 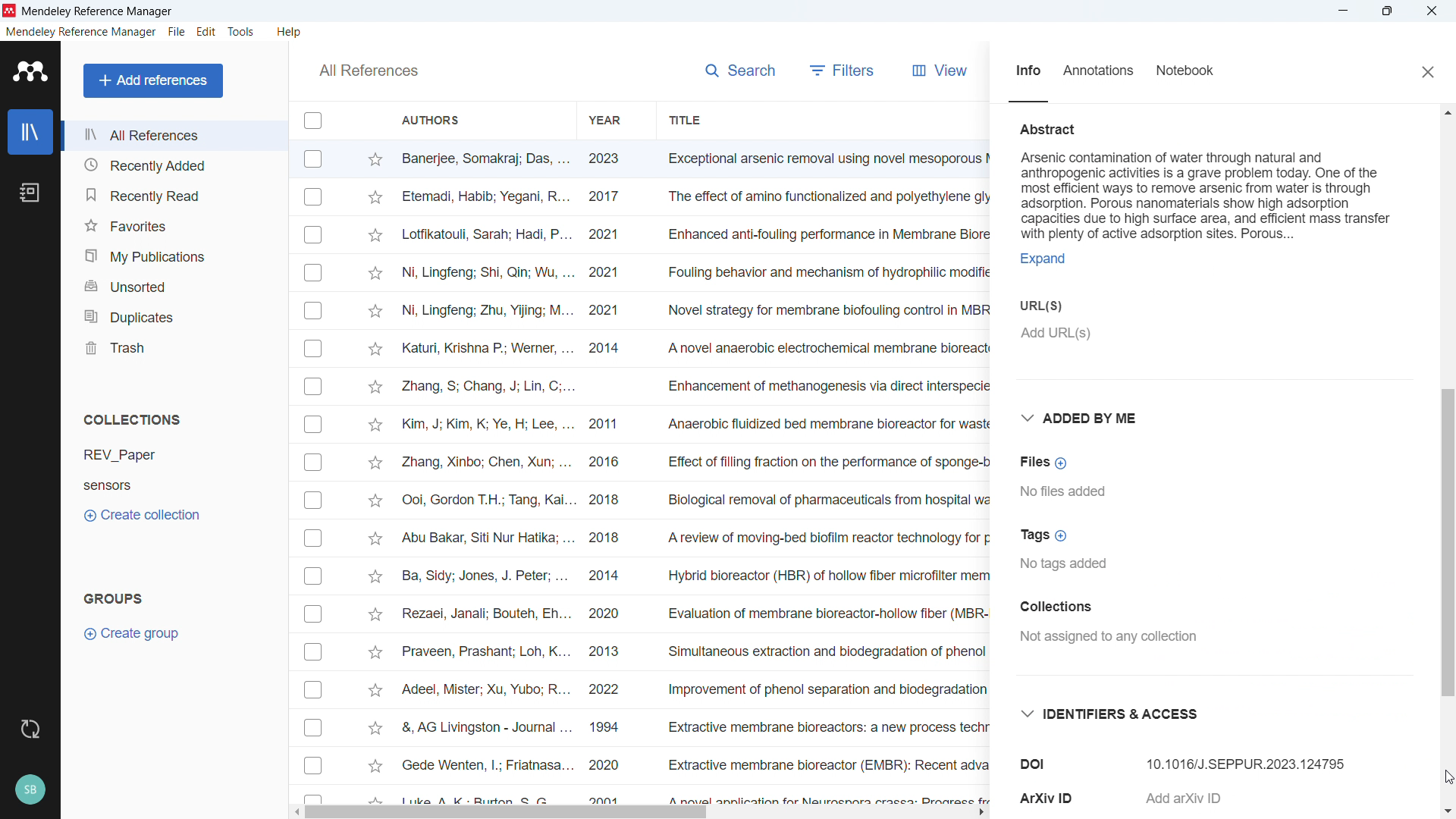 I want to click on close , so click(x=1430, y=11).